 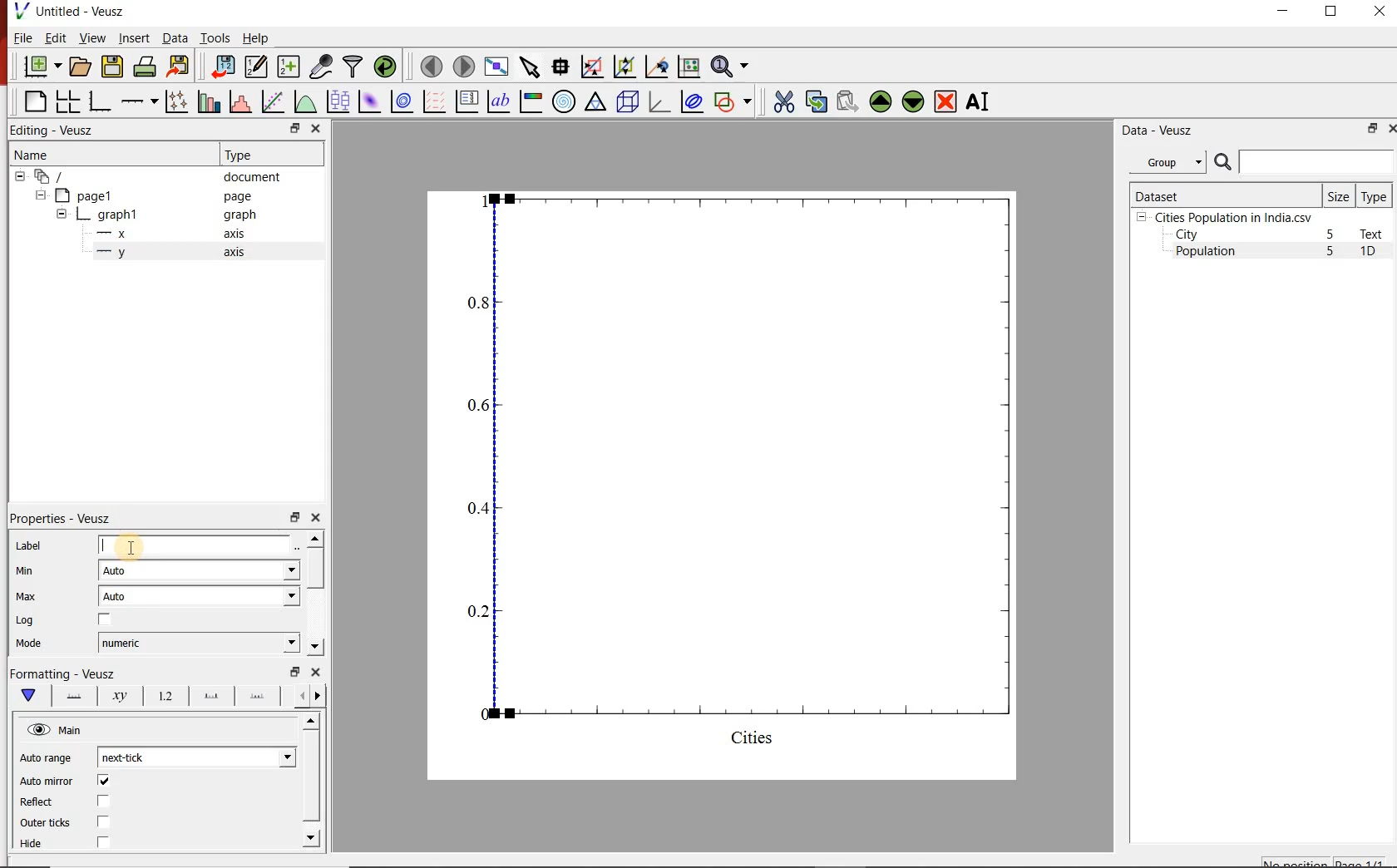 What do you see at coordinates (149, 195) in the screenshot?
I see `page1` at bounding box center [149, 195].